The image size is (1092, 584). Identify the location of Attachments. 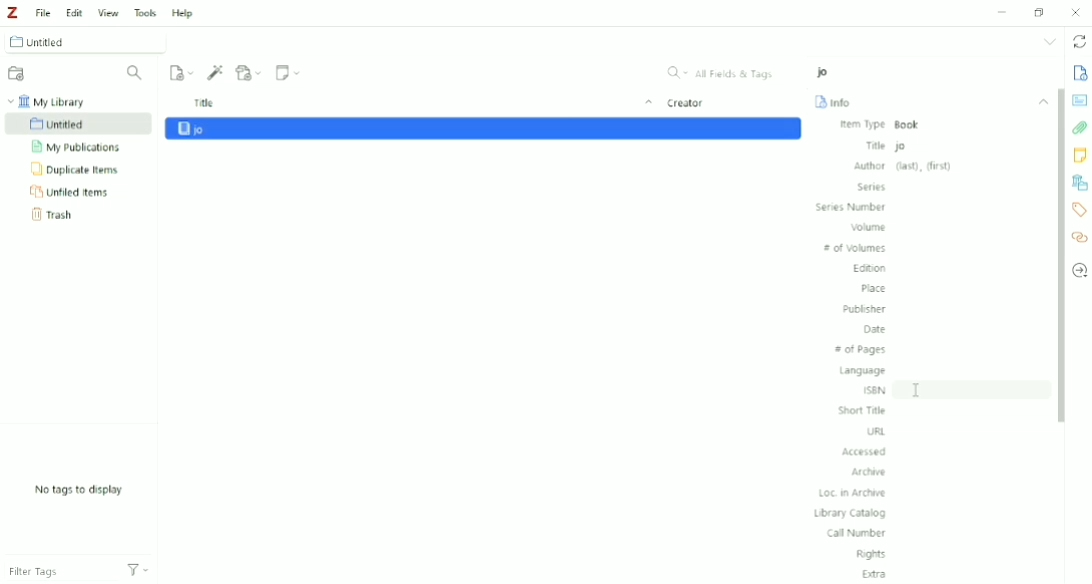
(1080, 130).